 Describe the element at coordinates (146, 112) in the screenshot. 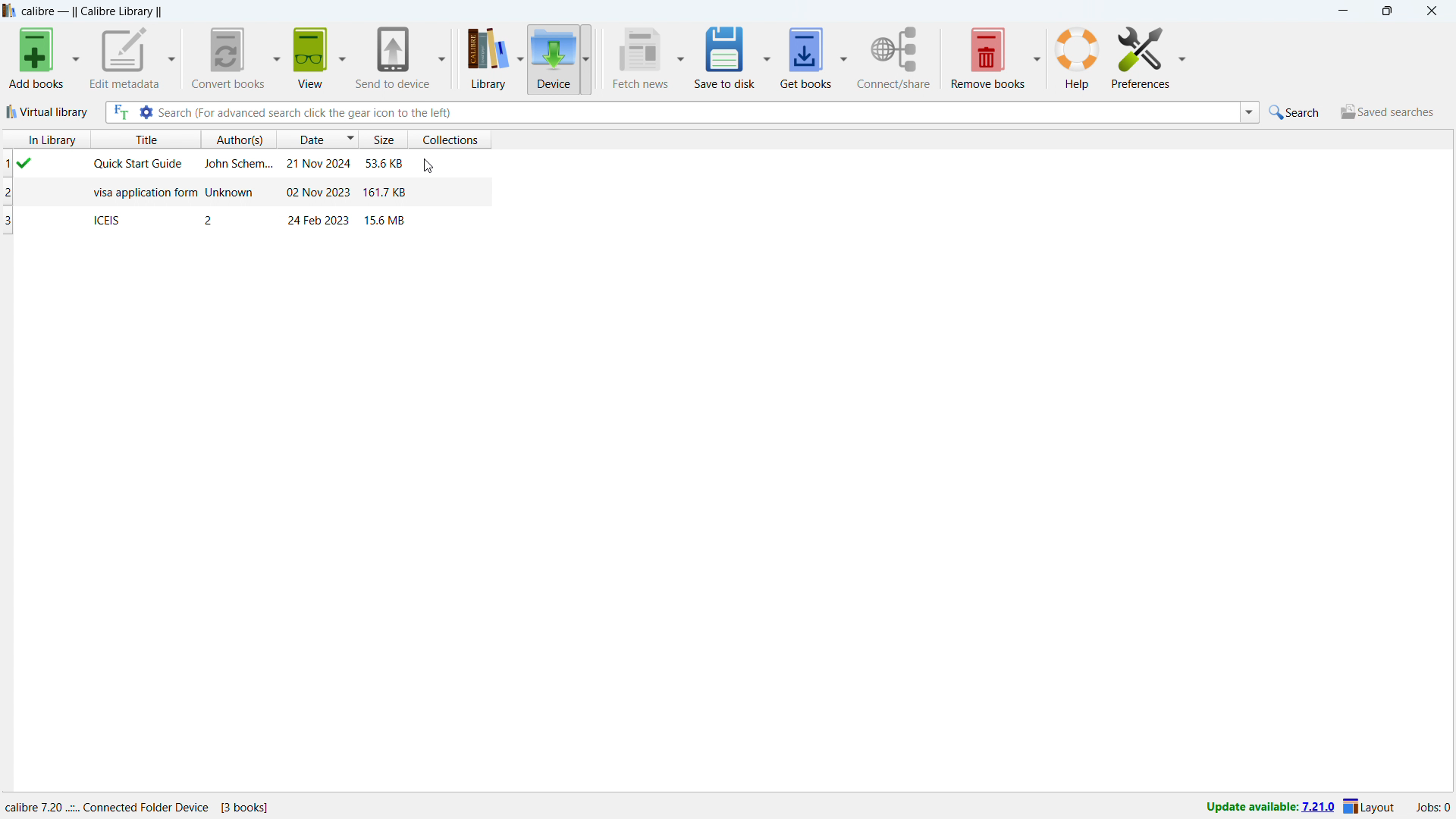

I see `advanced search` at that location.